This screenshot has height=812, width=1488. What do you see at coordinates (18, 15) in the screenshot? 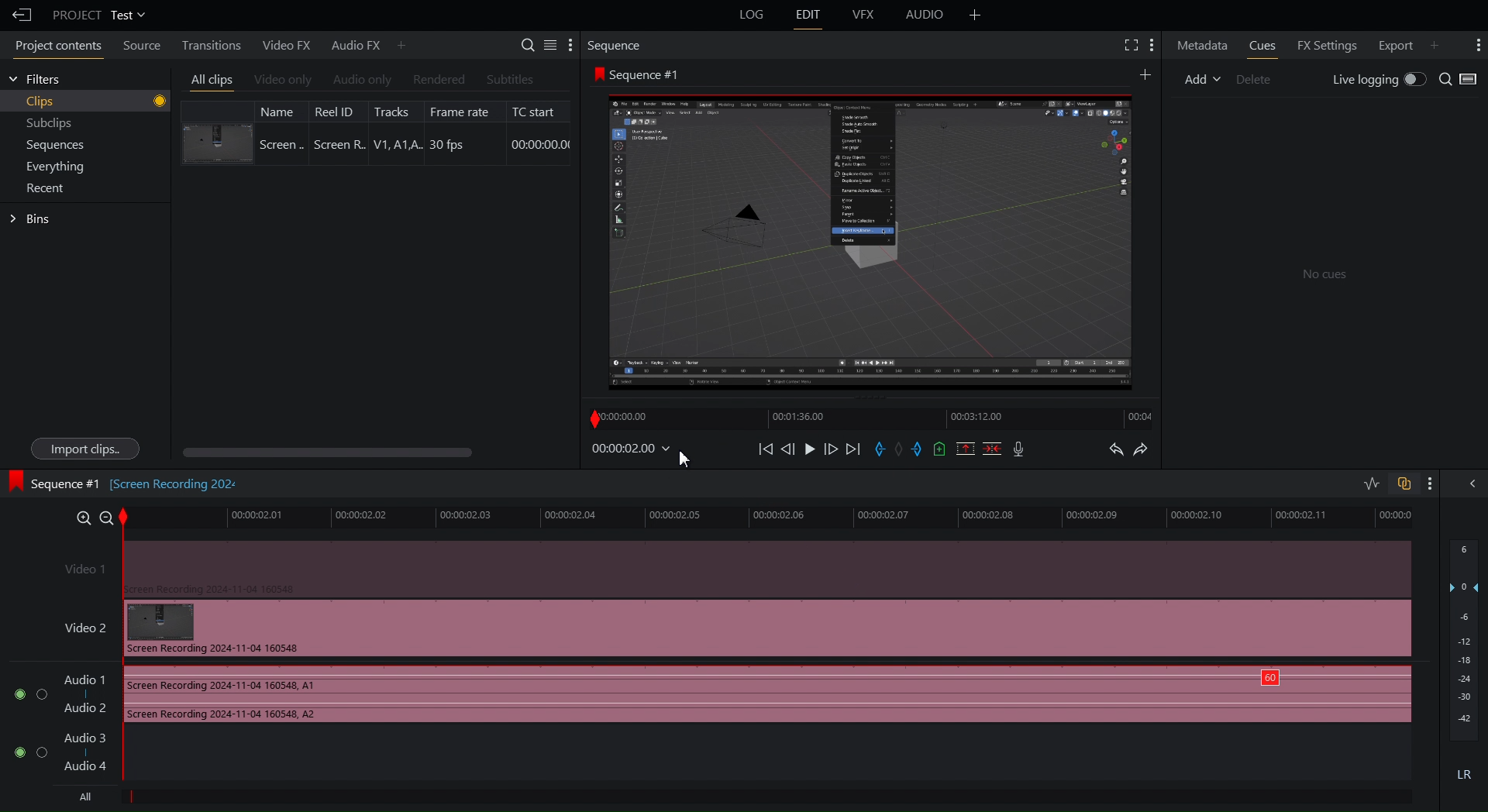
I see `Back` at bounding box center [18, 15].